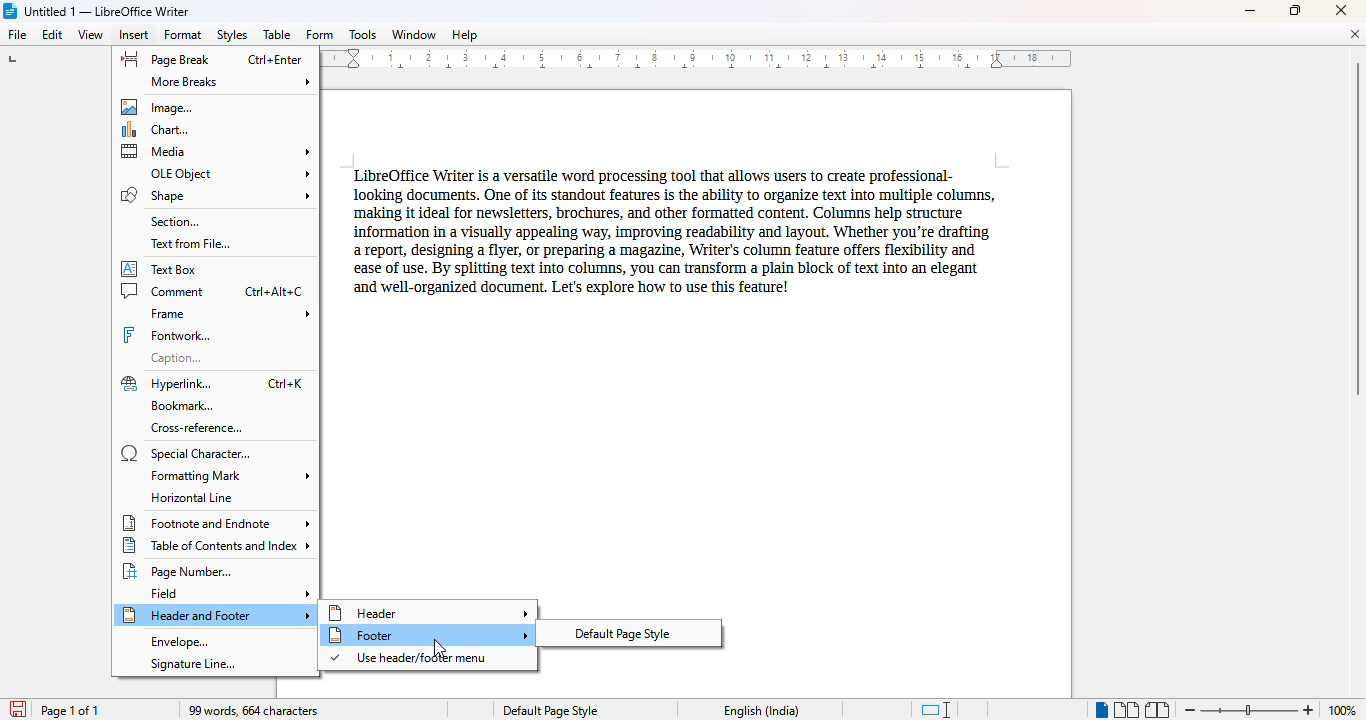  What do you see at coordinates (216, 523) in the screenshot?
I see `footnote and endnote` at bounding box center [216, 523].